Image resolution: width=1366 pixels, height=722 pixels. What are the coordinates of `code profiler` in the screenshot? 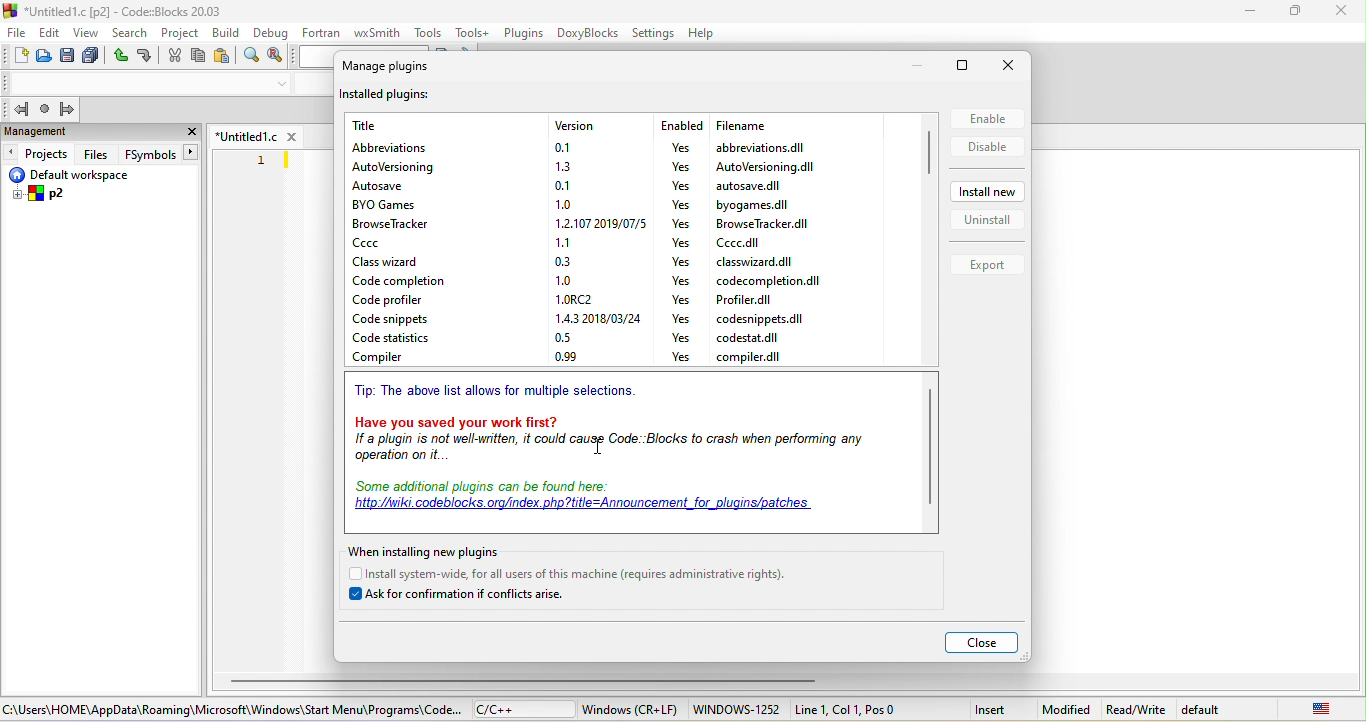 It's located at (411, 299).